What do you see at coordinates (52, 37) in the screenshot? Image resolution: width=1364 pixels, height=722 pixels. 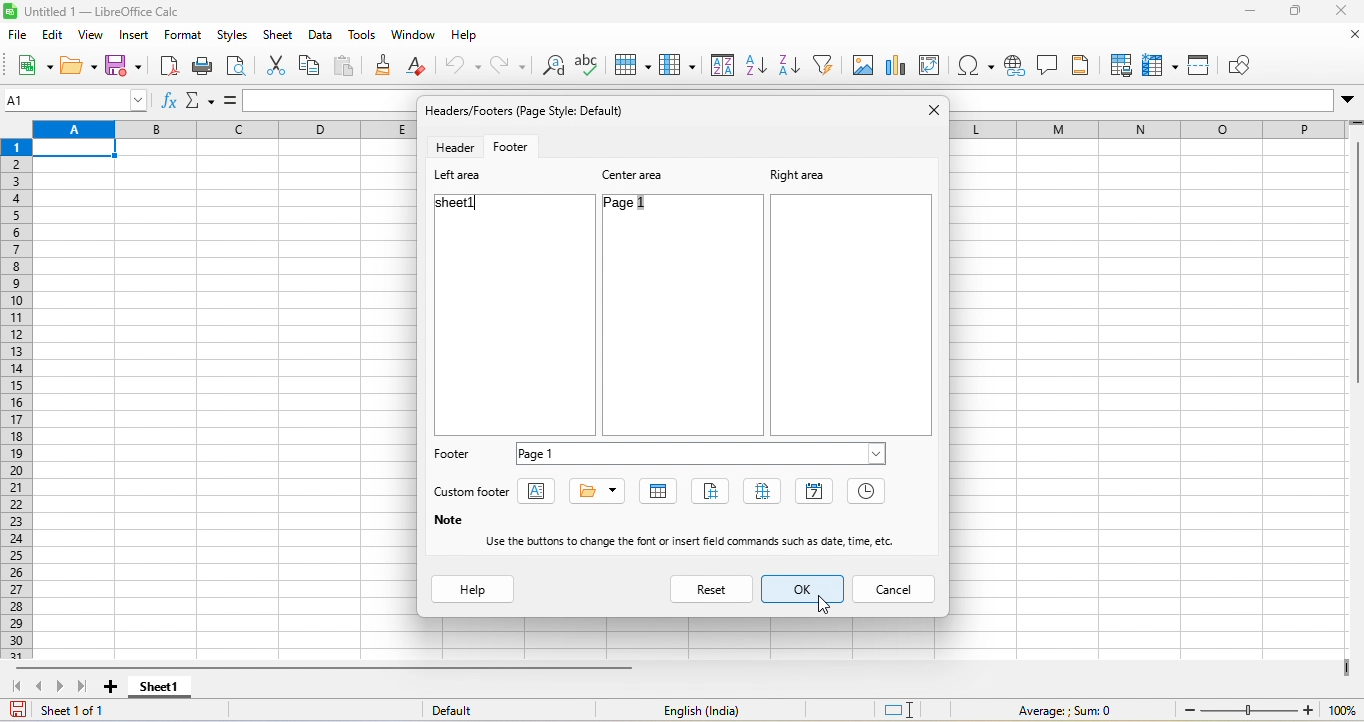 I see `edit` at bounding box center [52, 37].